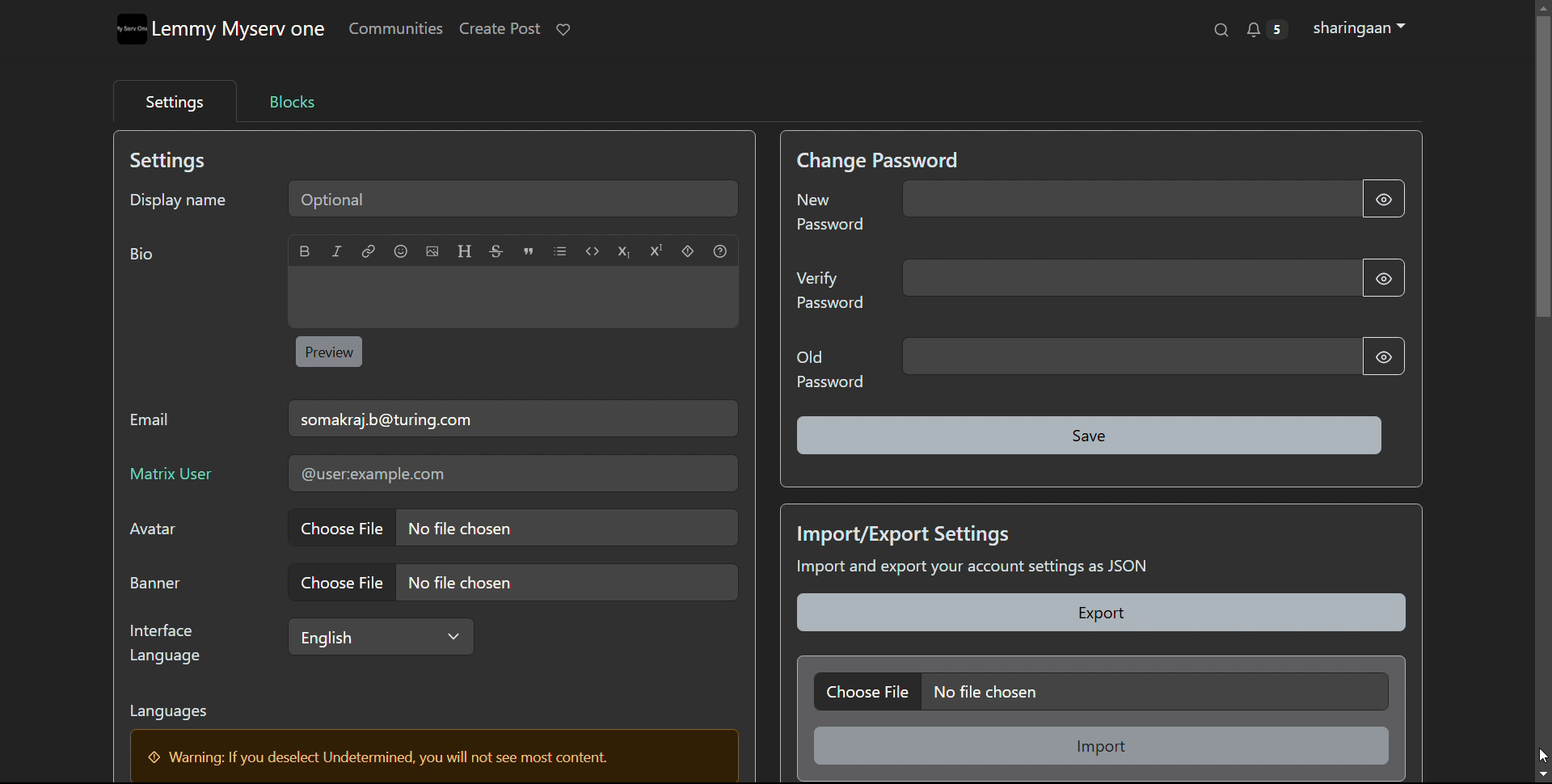  What do you see at coordinates (592, 251) in the screenshot?
I see `code` at bounding box center [592, 251].